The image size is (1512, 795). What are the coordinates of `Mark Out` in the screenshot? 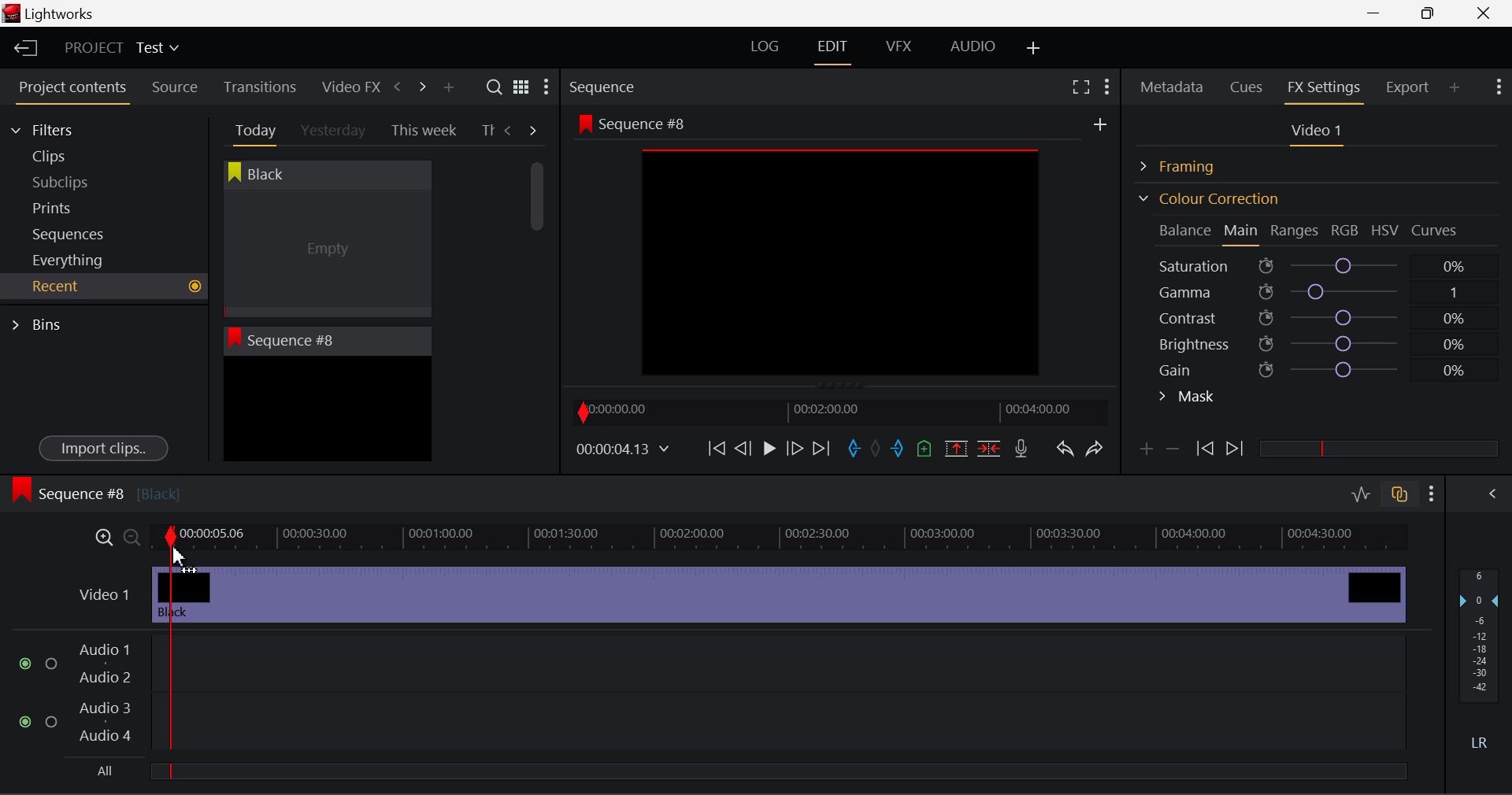 It's located at (899, 449).